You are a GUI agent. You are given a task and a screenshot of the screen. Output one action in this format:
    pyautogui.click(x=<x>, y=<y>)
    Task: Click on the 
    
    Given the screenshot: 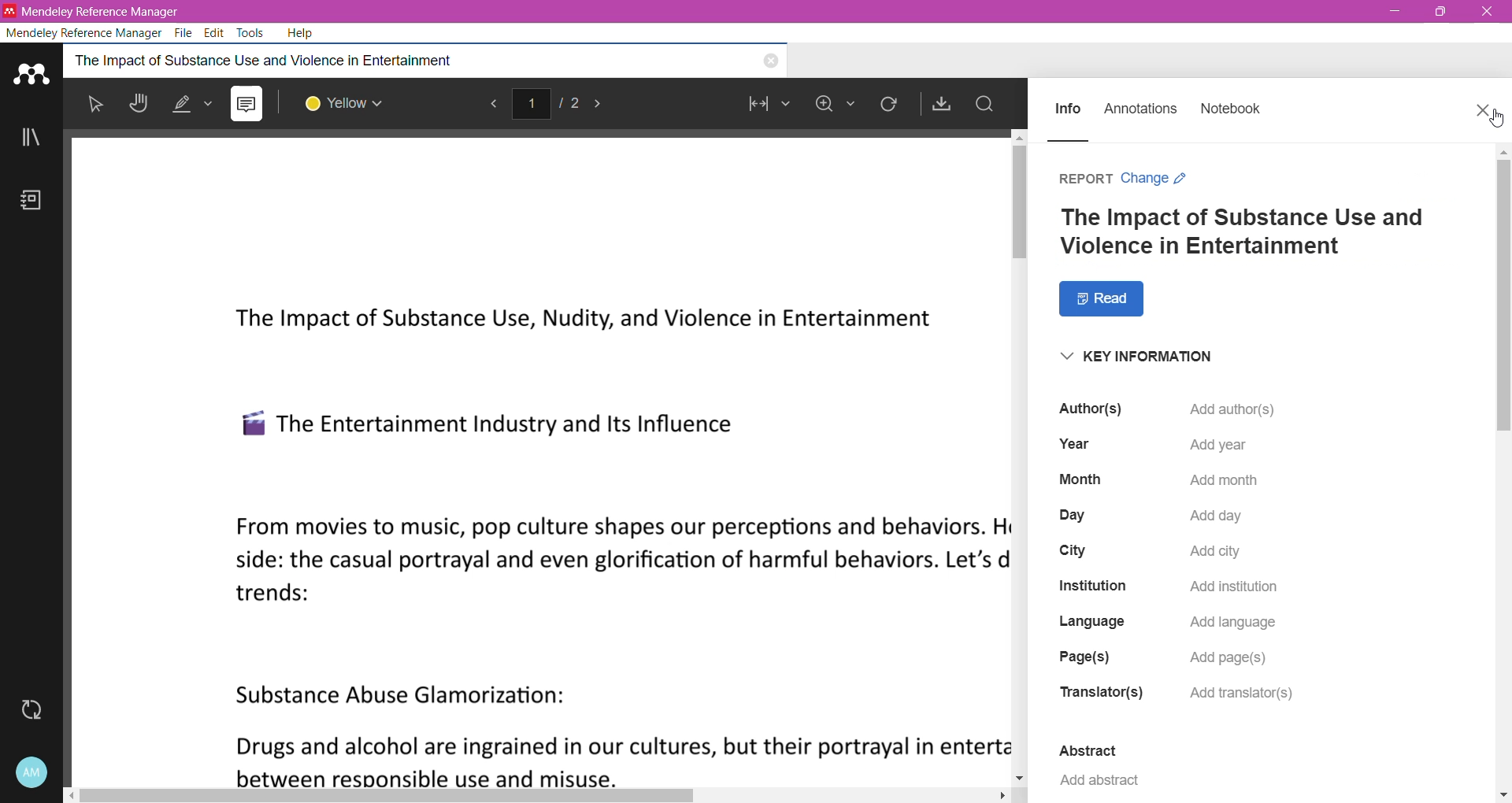 What is the action you would take?
    pyautogui.click(x=139, y=104)
    